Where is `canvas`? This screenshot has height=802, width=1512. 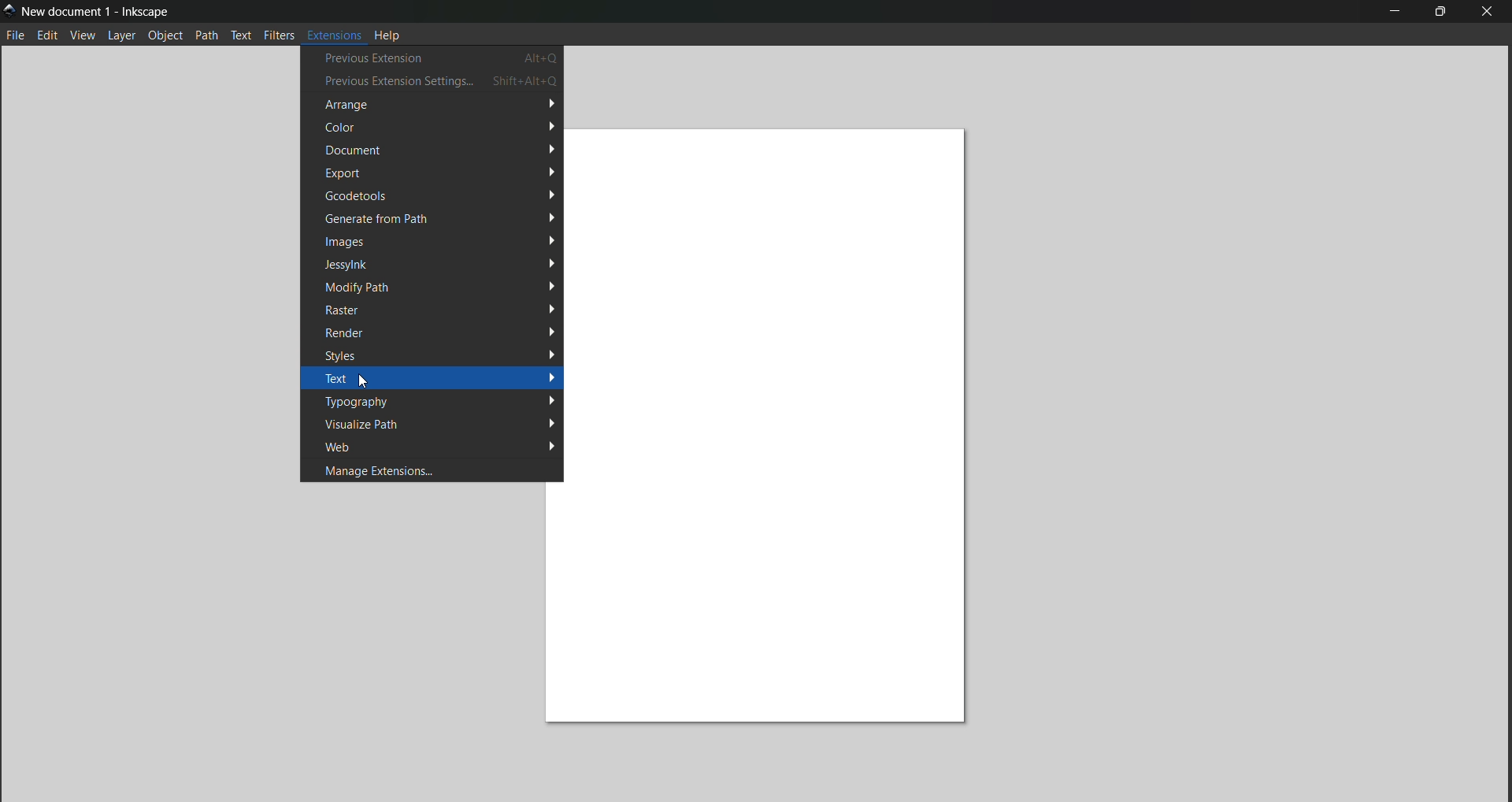 canvas is located at coordinates (777, 426).